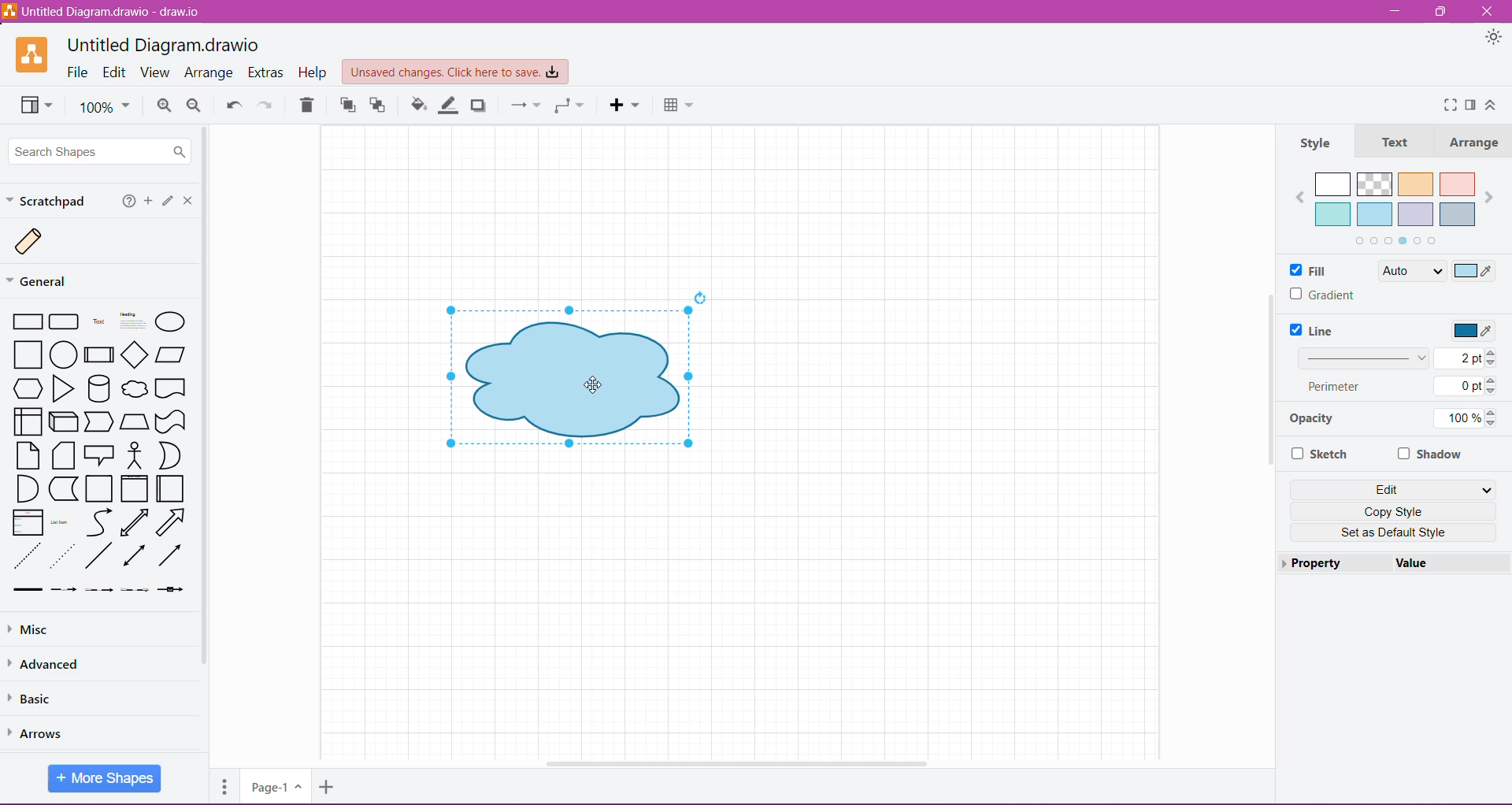 This screenshot has height=805, width=1512. I want to click on Fill Color, so click(1313, 271).